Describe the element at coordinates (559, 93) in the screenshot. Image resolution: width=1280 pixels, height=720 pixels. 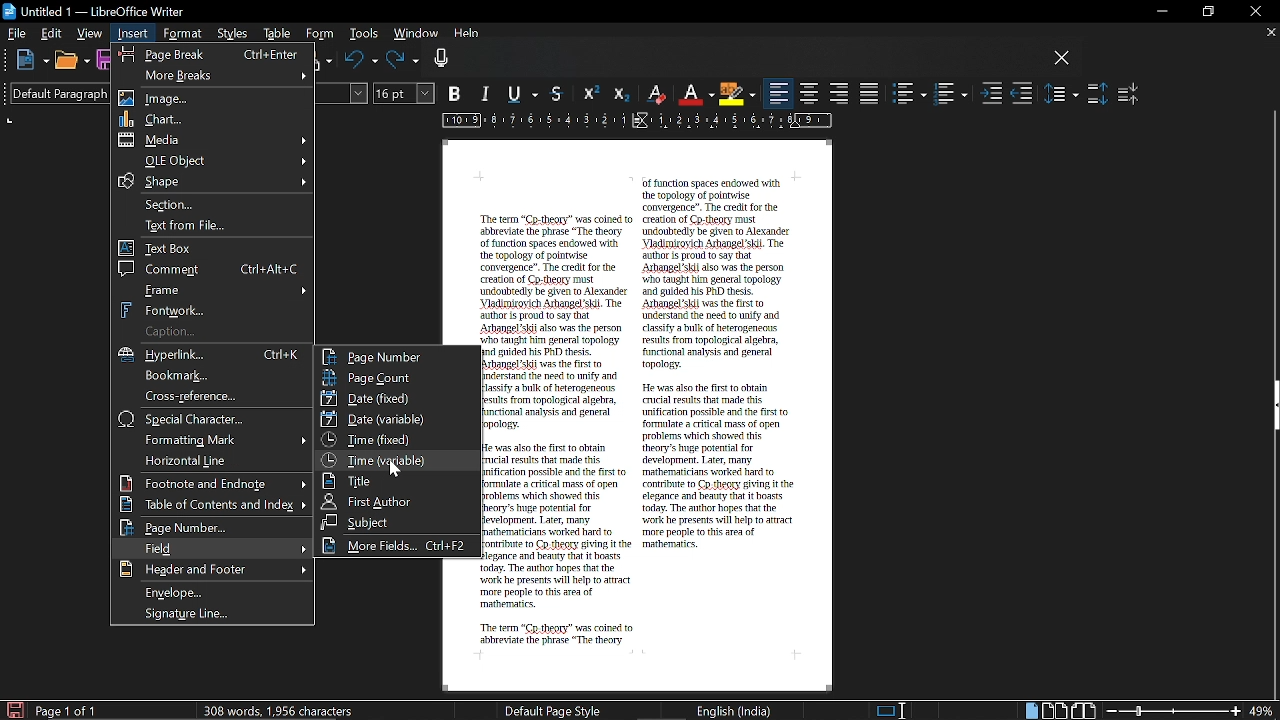
I see `strikethrough` at that location.